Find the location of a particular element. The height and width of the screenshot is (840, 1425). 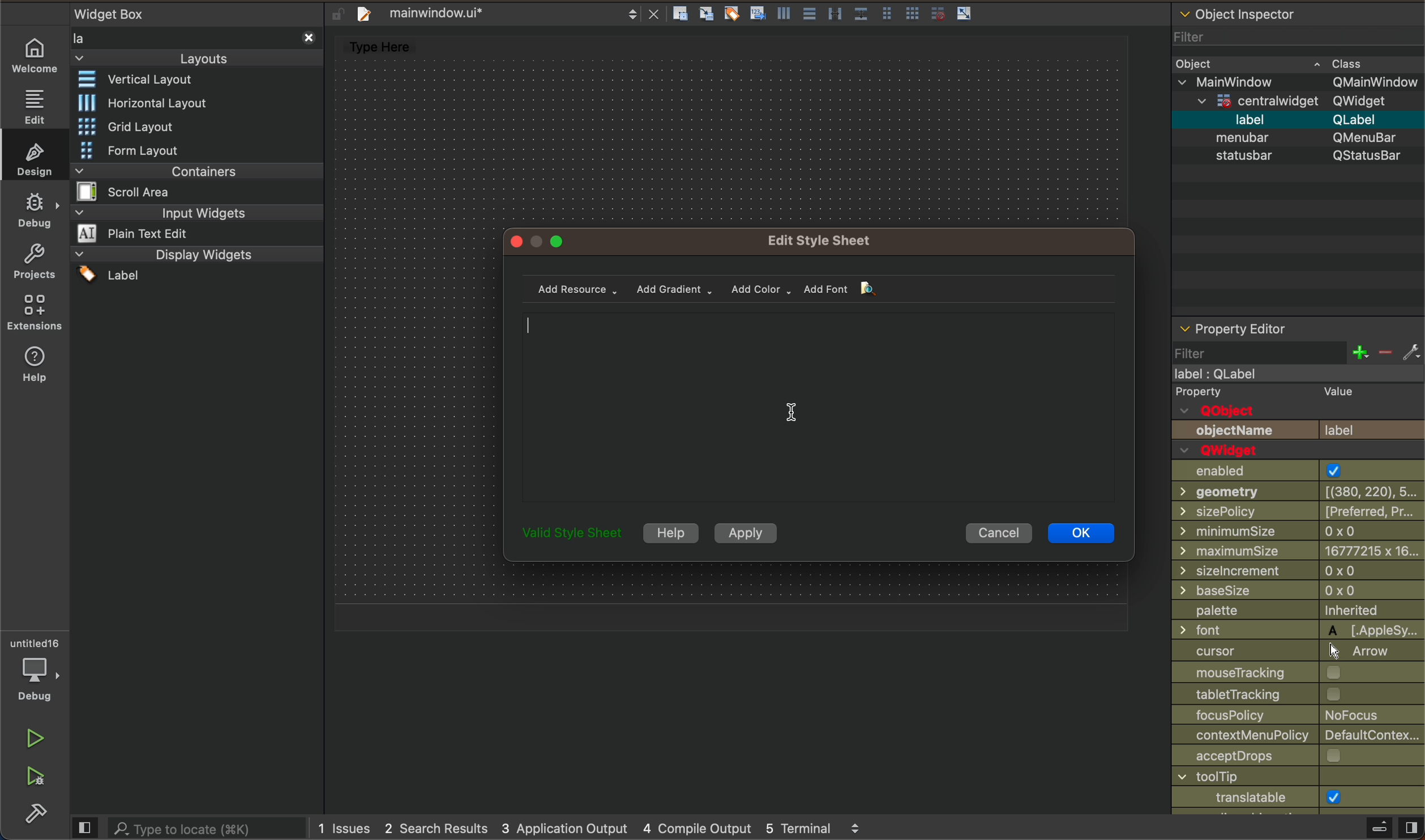

add resource is located at coordinates (582, 289).